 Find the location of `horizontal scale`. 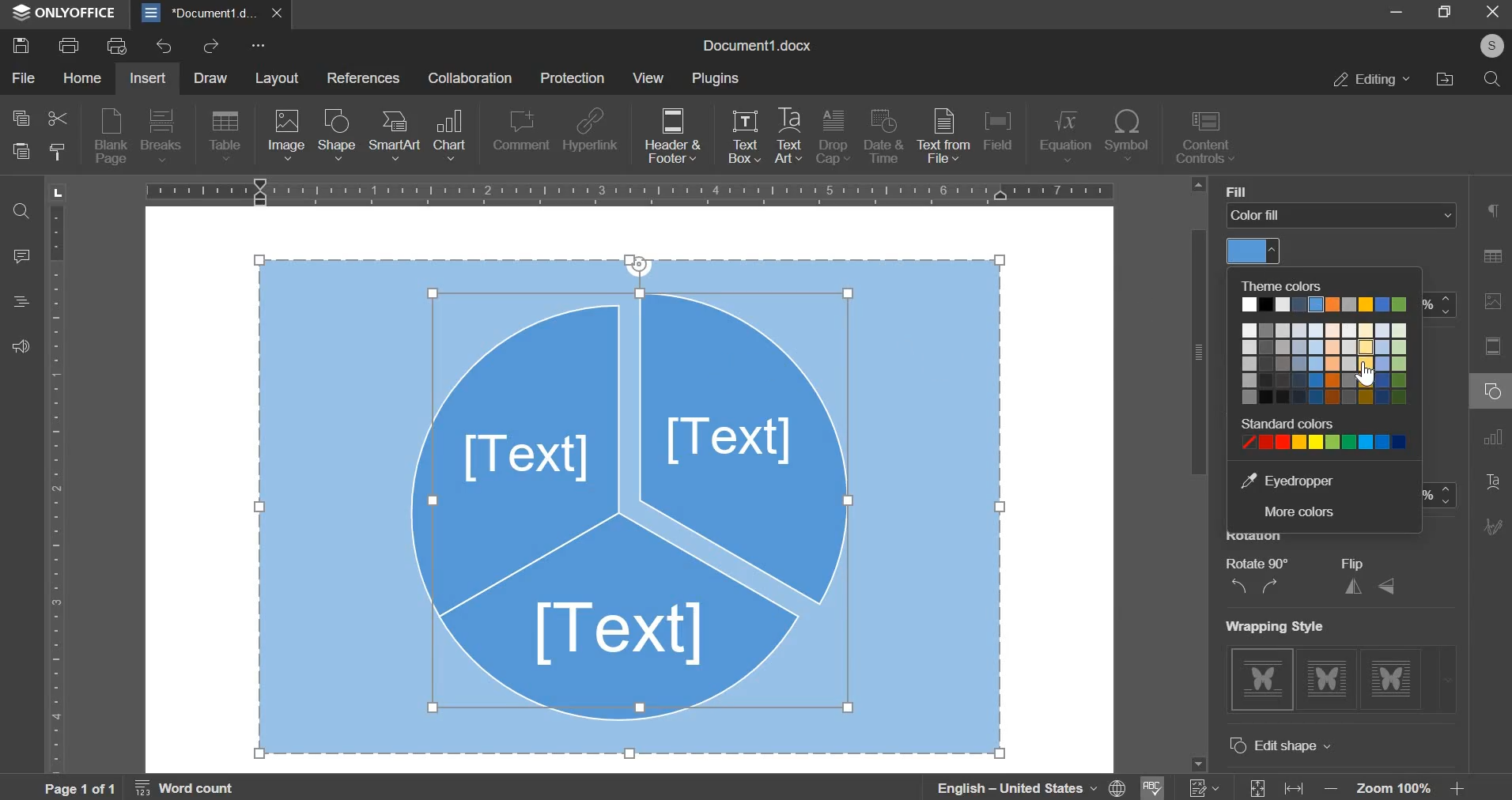

horizontal scale is located at coordinates (631, 190).